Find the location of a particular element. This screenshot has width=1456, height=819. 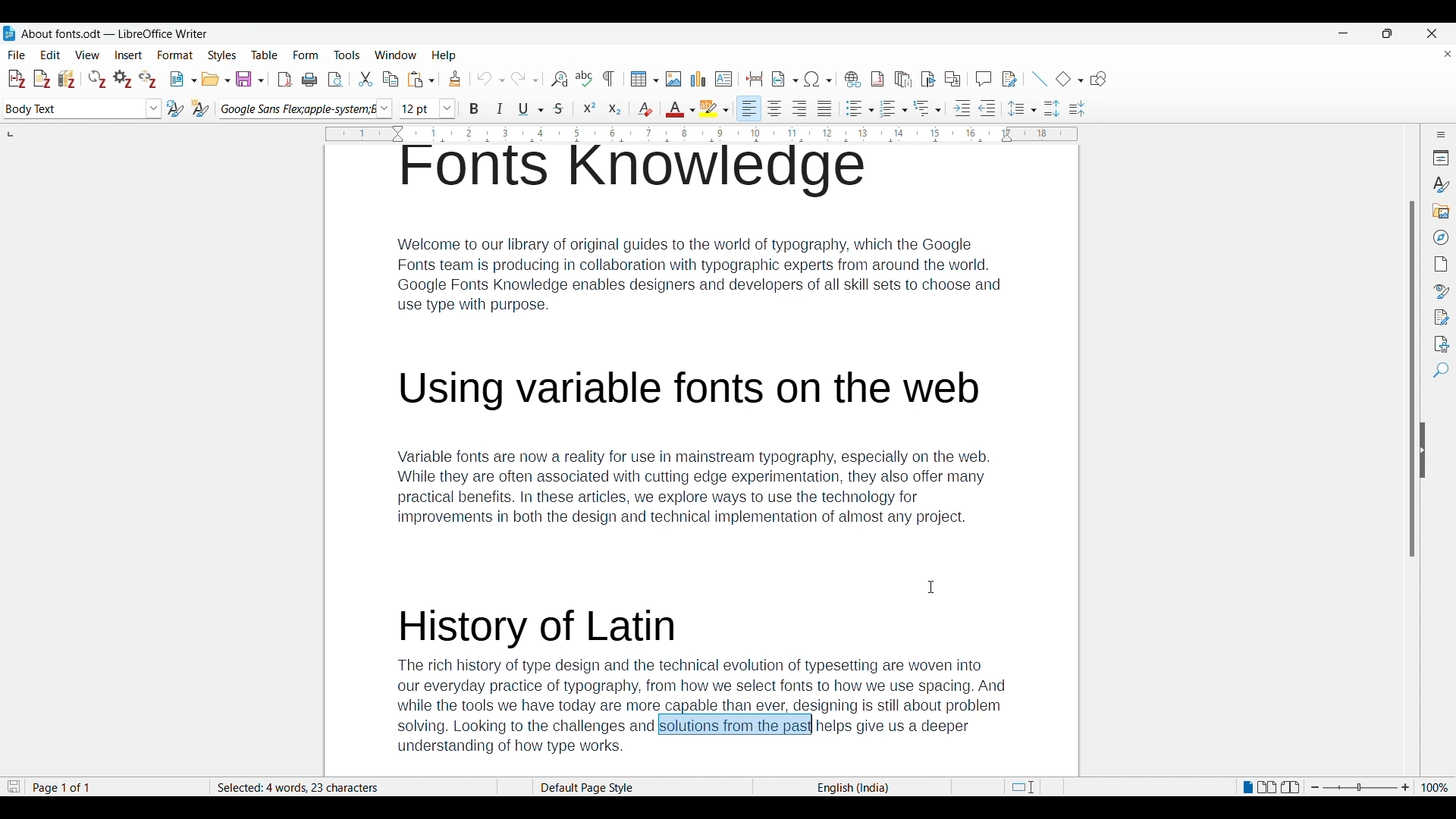

Default page style is located at coordinates (641, 788).